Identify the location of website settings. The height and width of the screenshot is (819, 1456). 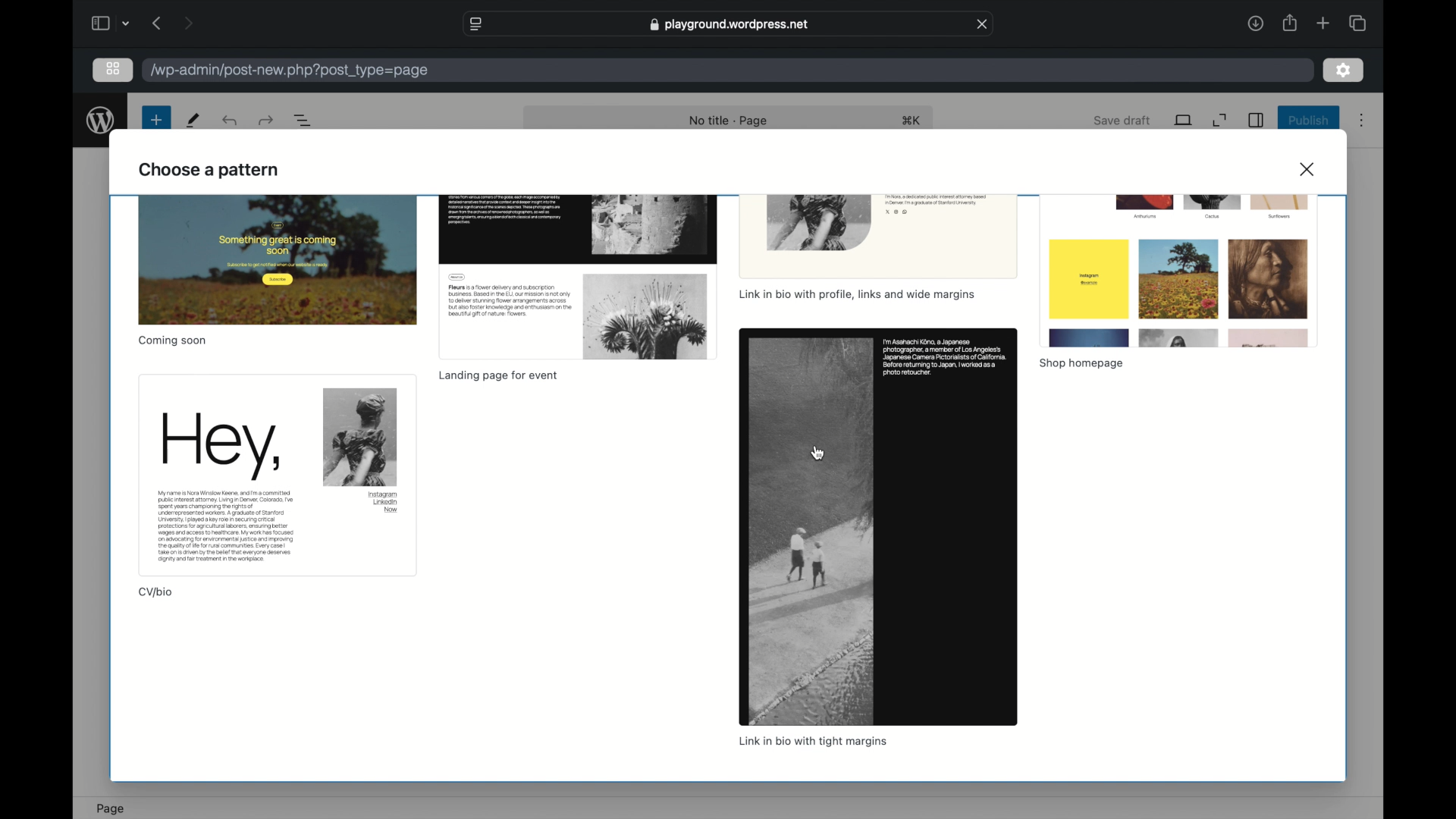
(474, 24).